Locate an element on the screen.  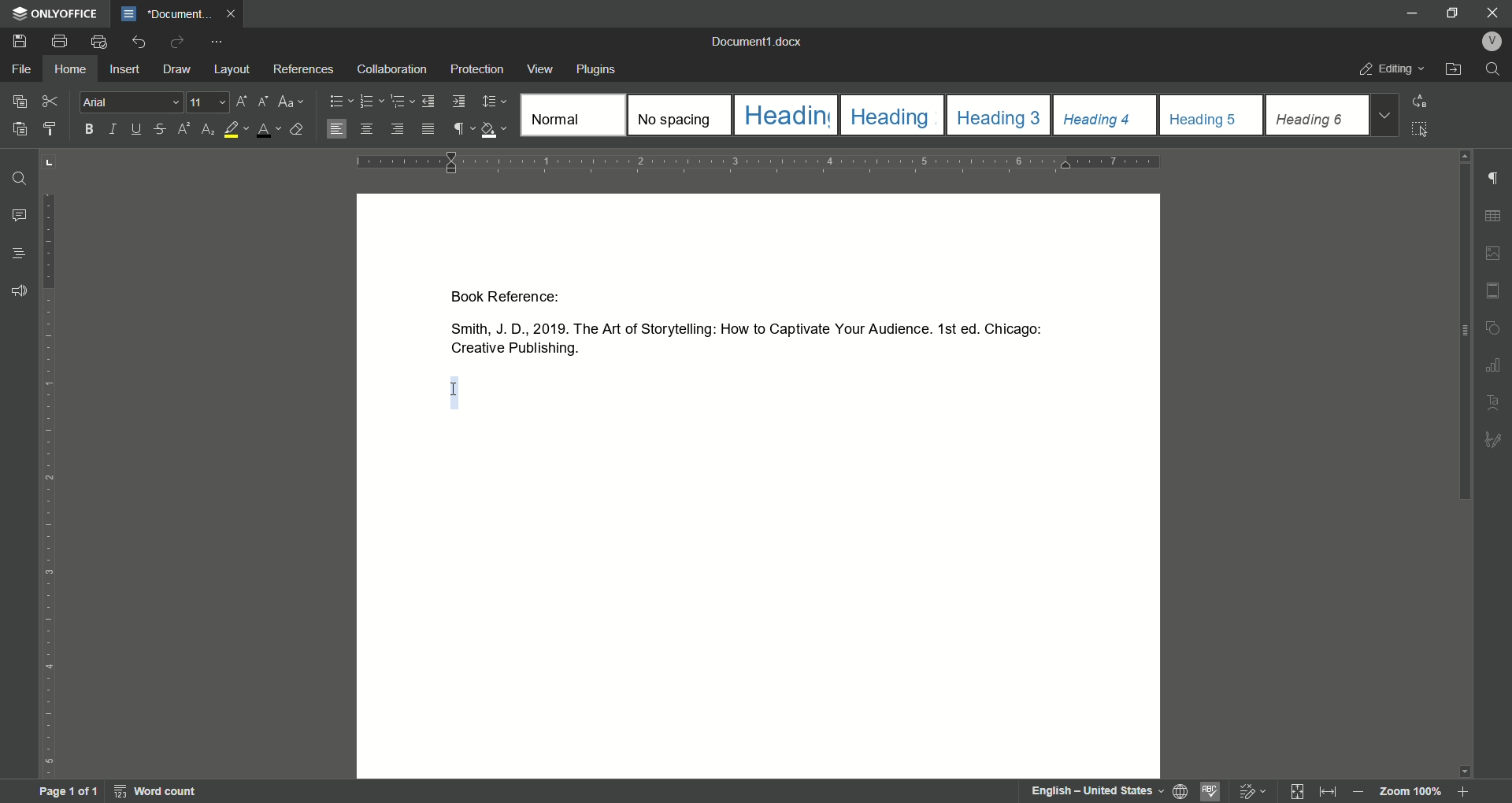
spell check is located at coordinates (1210, 790).